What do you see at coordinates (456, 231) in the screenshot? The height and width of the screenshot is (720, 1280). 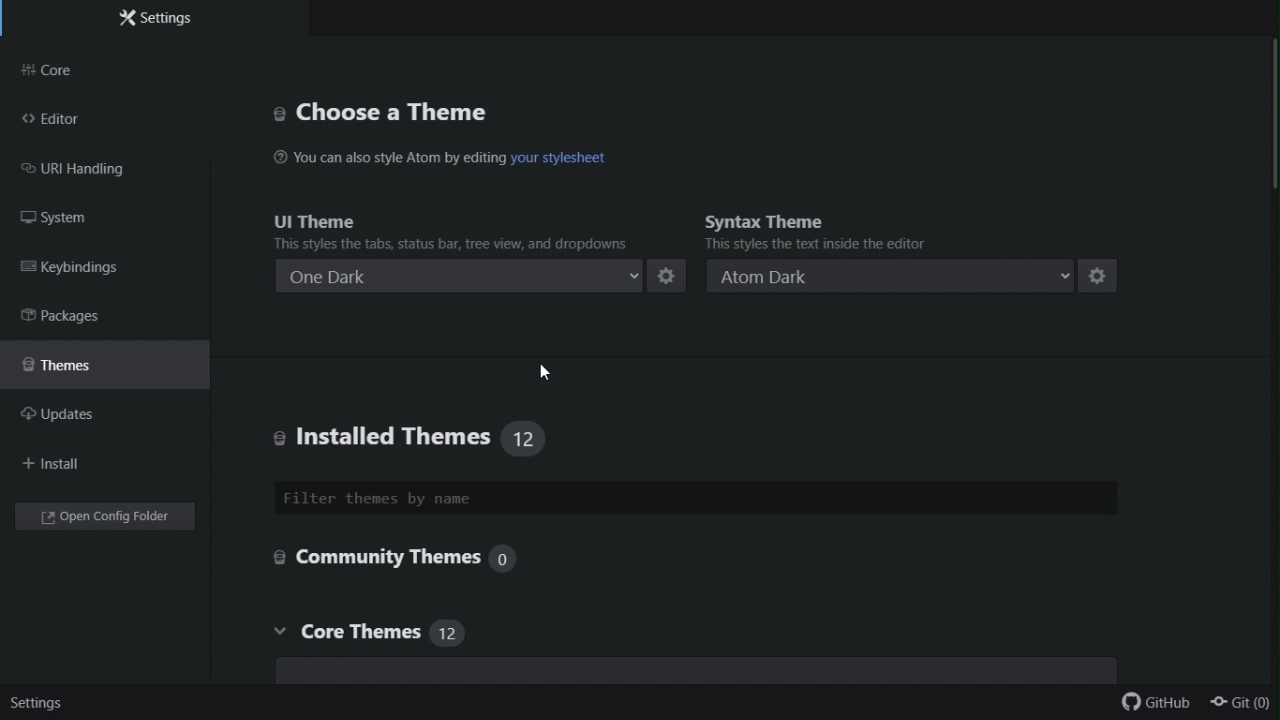 I see `UI theme` at bounding box center [456, 231].